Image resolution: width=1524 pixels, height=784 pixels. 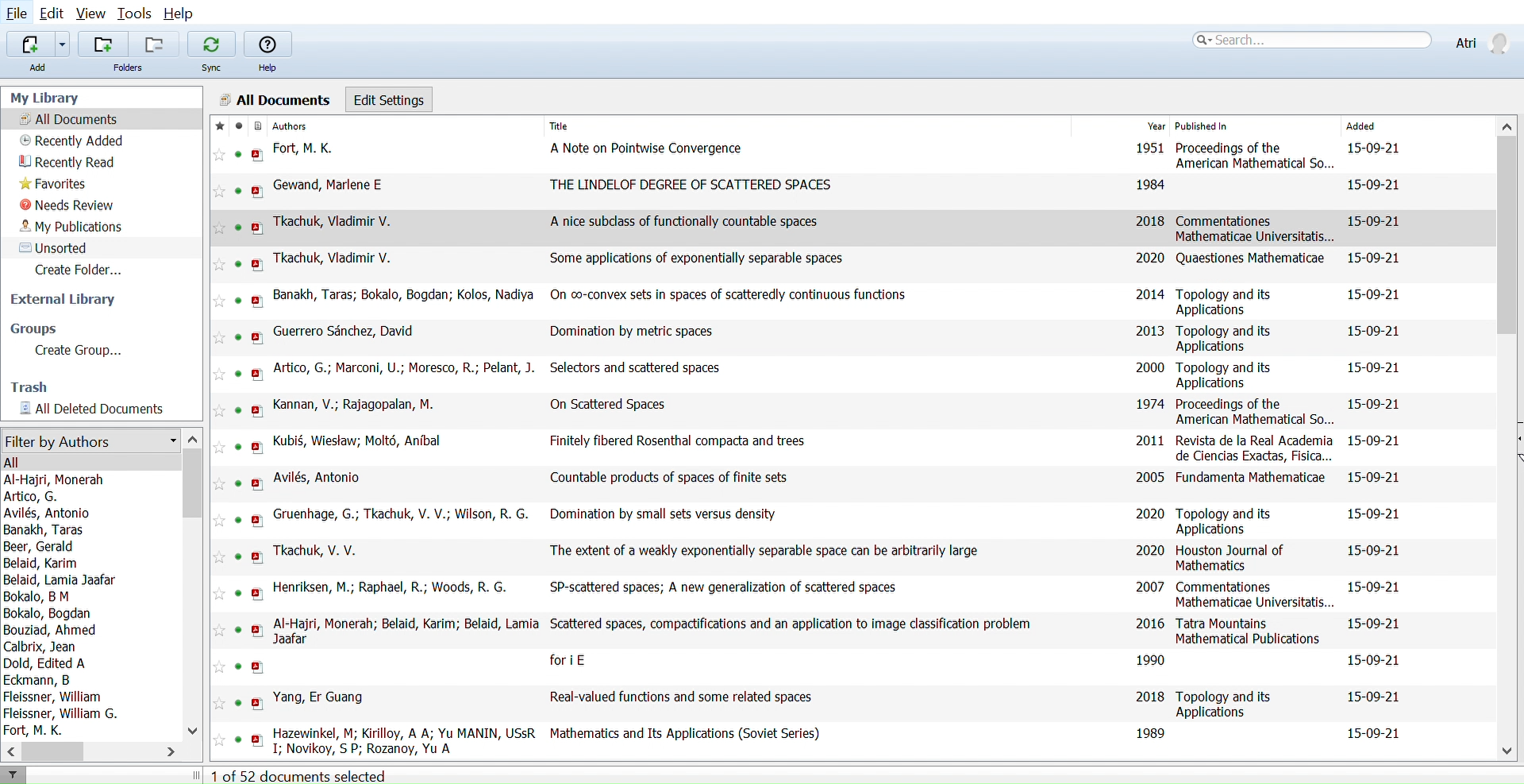 I want to click on open PDF, so click(x=258, y=740).